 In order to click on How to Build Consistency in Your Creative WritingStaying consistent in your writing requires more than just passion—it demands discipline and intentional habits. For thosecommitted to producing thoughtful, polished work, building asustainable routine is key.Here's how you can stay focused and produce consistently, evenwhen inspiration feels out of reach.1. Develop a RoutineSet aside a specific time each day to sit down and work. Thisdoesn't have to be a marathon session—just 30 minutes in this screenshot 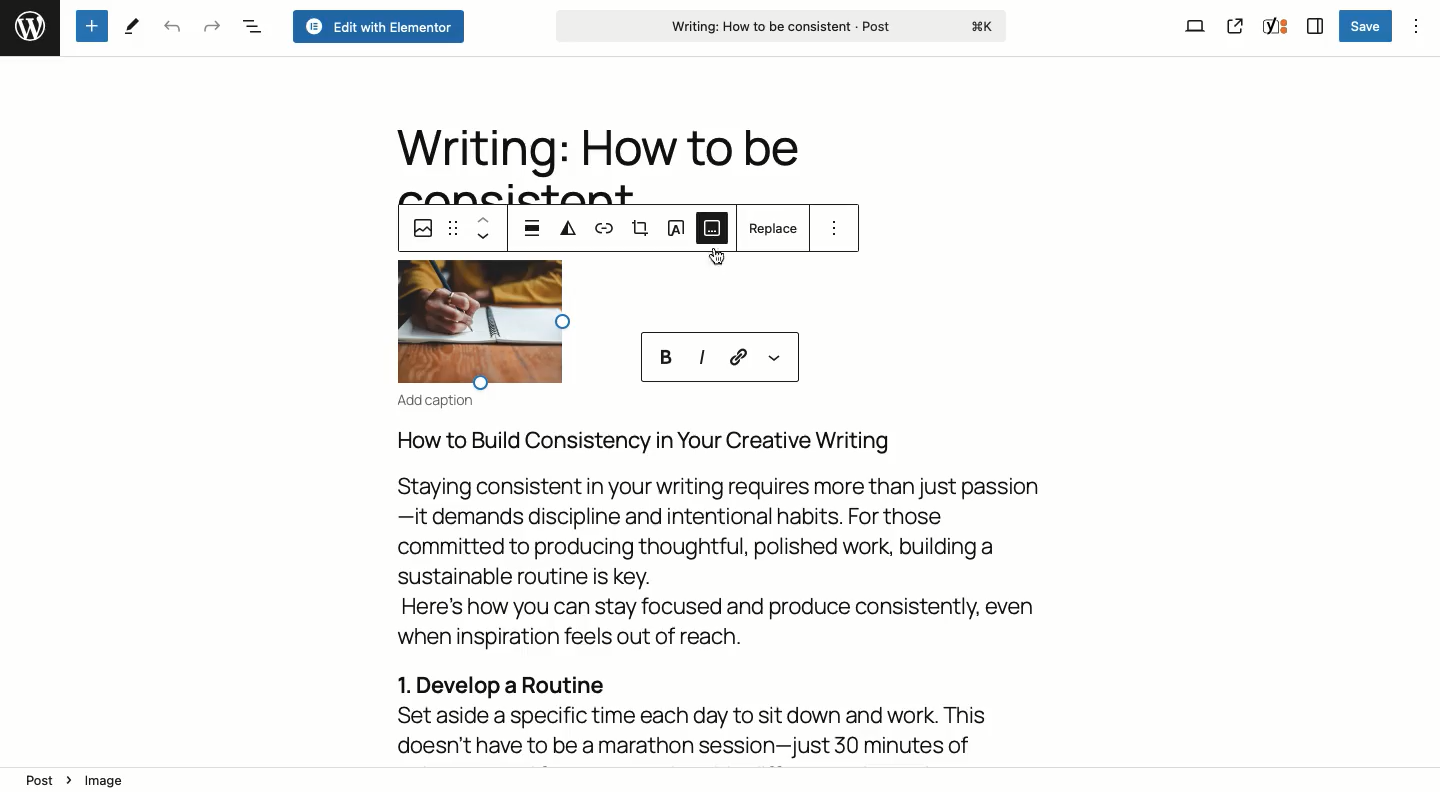, I will do `click(726, 594)`.